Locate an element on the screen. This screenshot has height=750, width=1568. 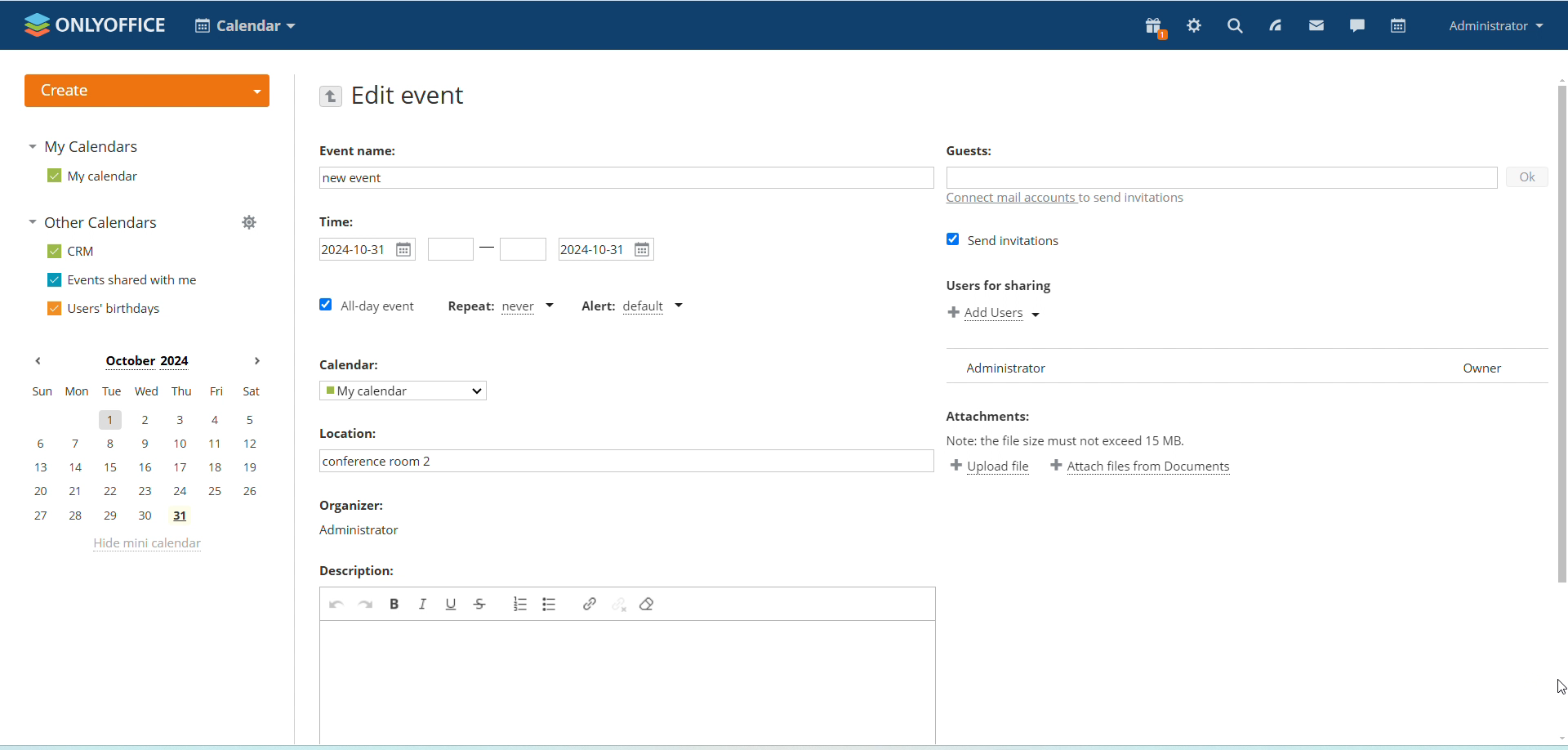
Event name is located at coordinates (360, 151).